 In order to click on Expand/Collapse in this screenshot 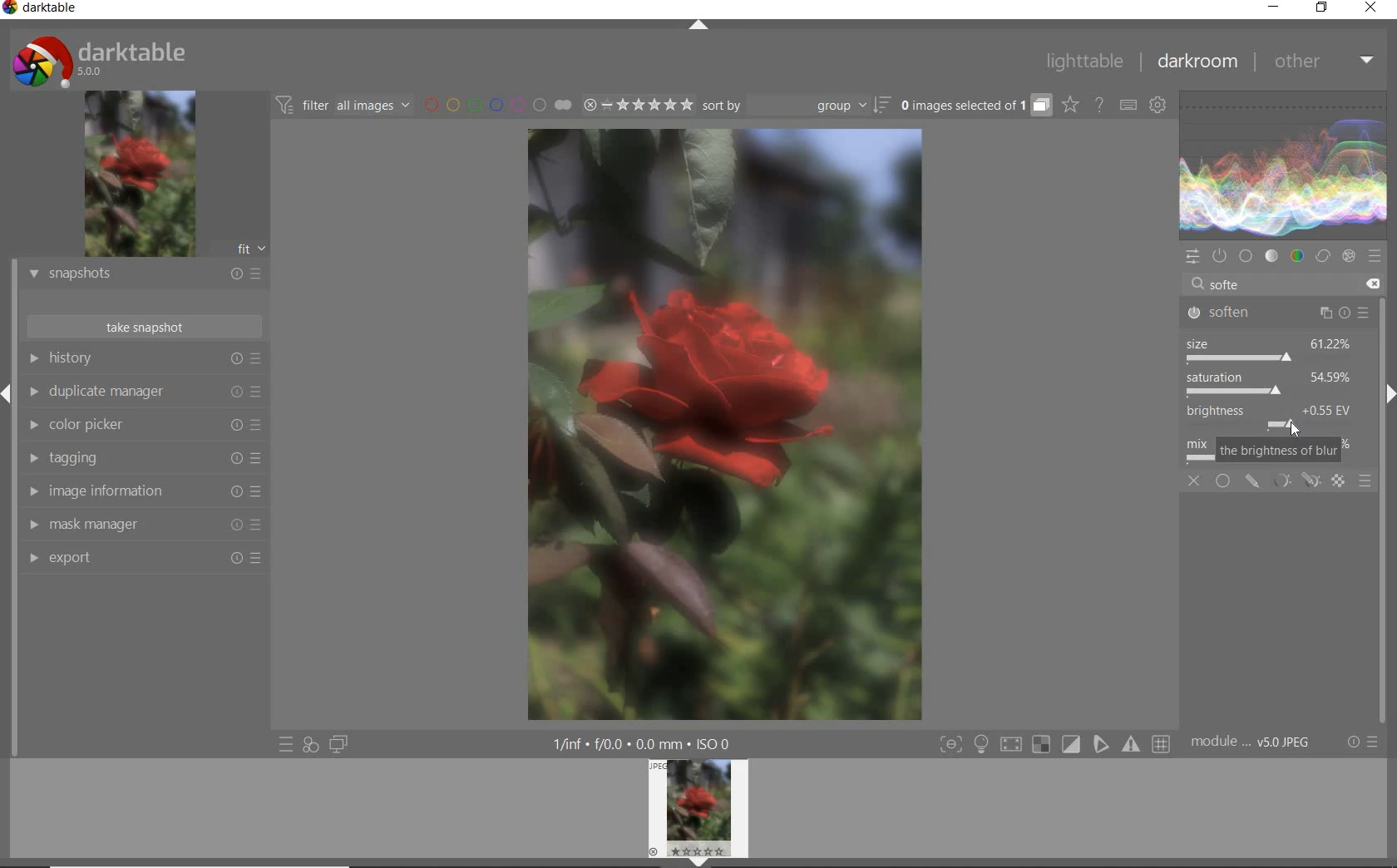, I will do `click(8, 392)`.